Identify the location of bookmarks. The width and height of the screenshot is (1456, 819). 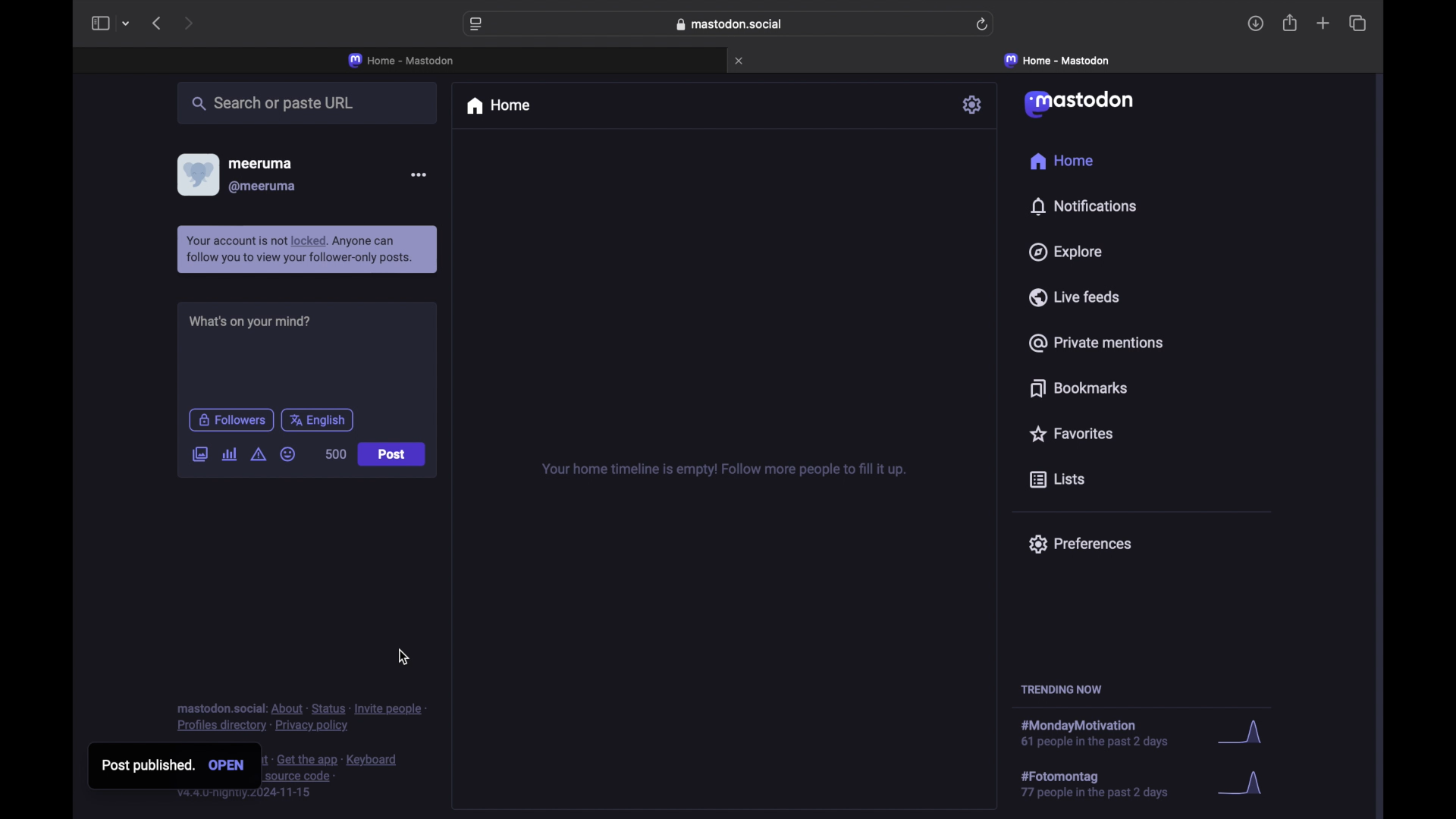
(1078, 388).